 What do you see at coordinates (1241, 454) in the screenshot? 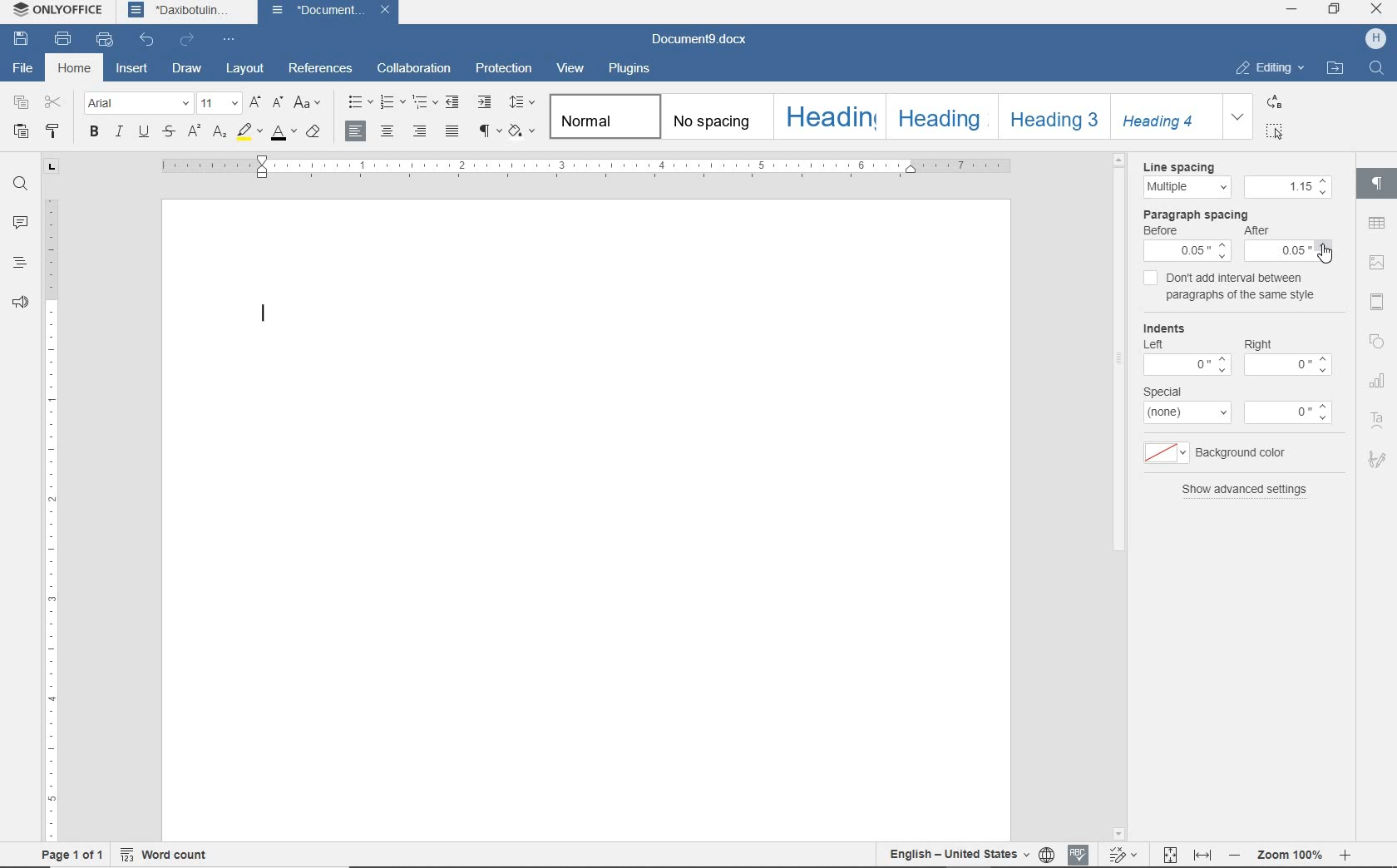
I see `background color` at bounding box center [1241, 454].